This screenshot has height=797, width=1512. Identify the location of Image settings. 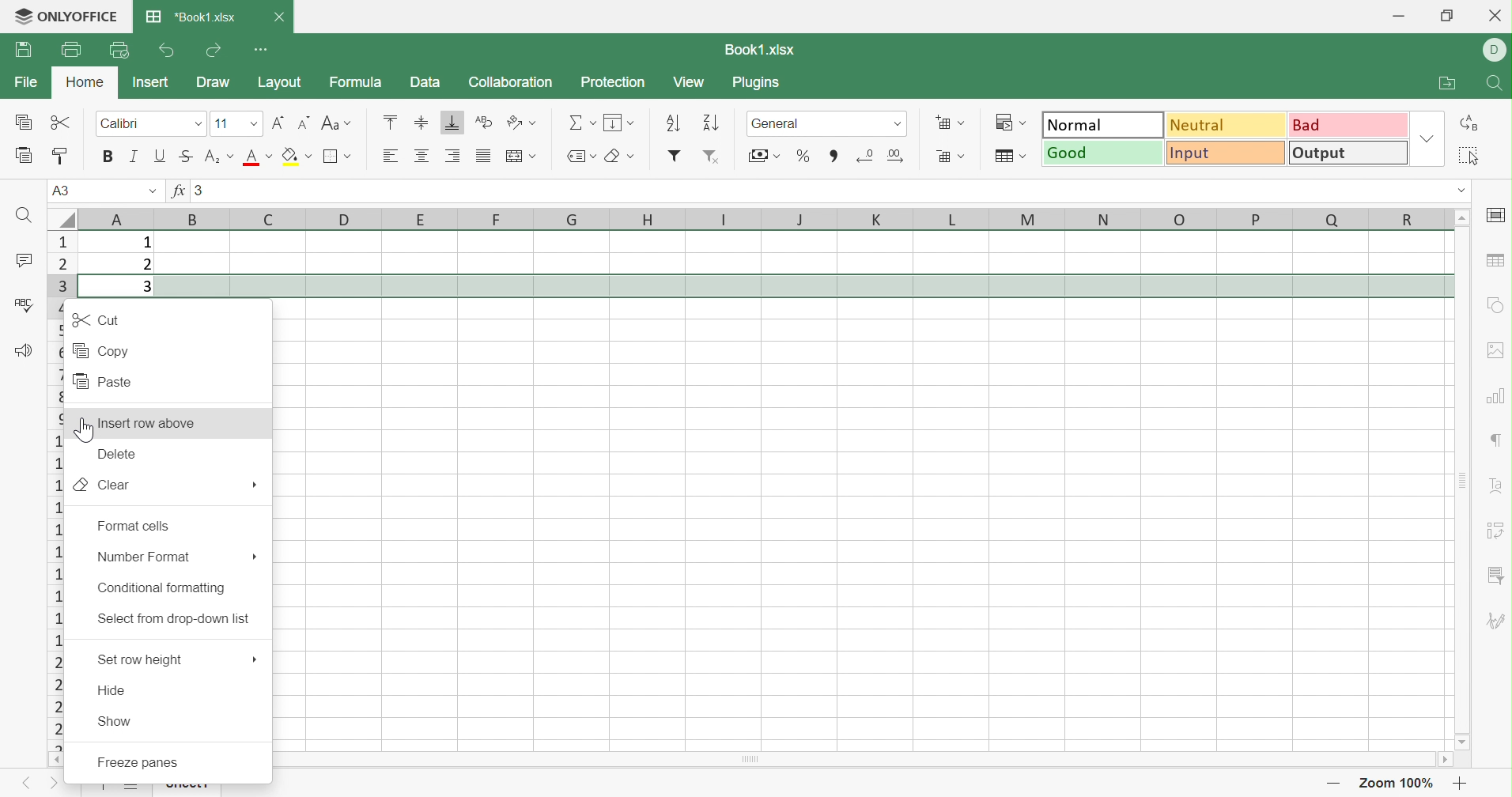
(1495, 350).